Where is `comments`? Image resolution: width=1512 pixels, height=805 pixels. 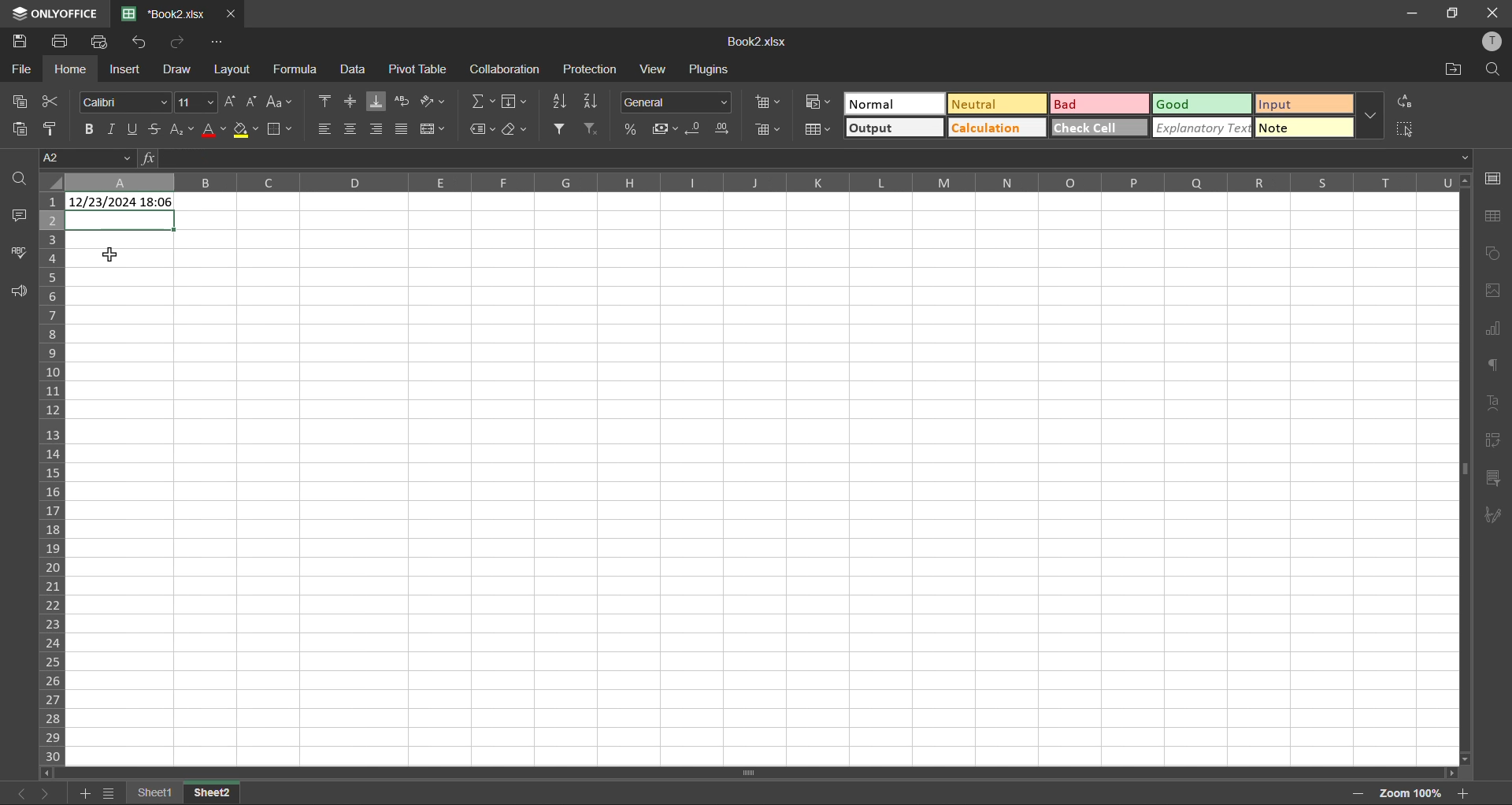 comments is located at coordinates (20, 215).